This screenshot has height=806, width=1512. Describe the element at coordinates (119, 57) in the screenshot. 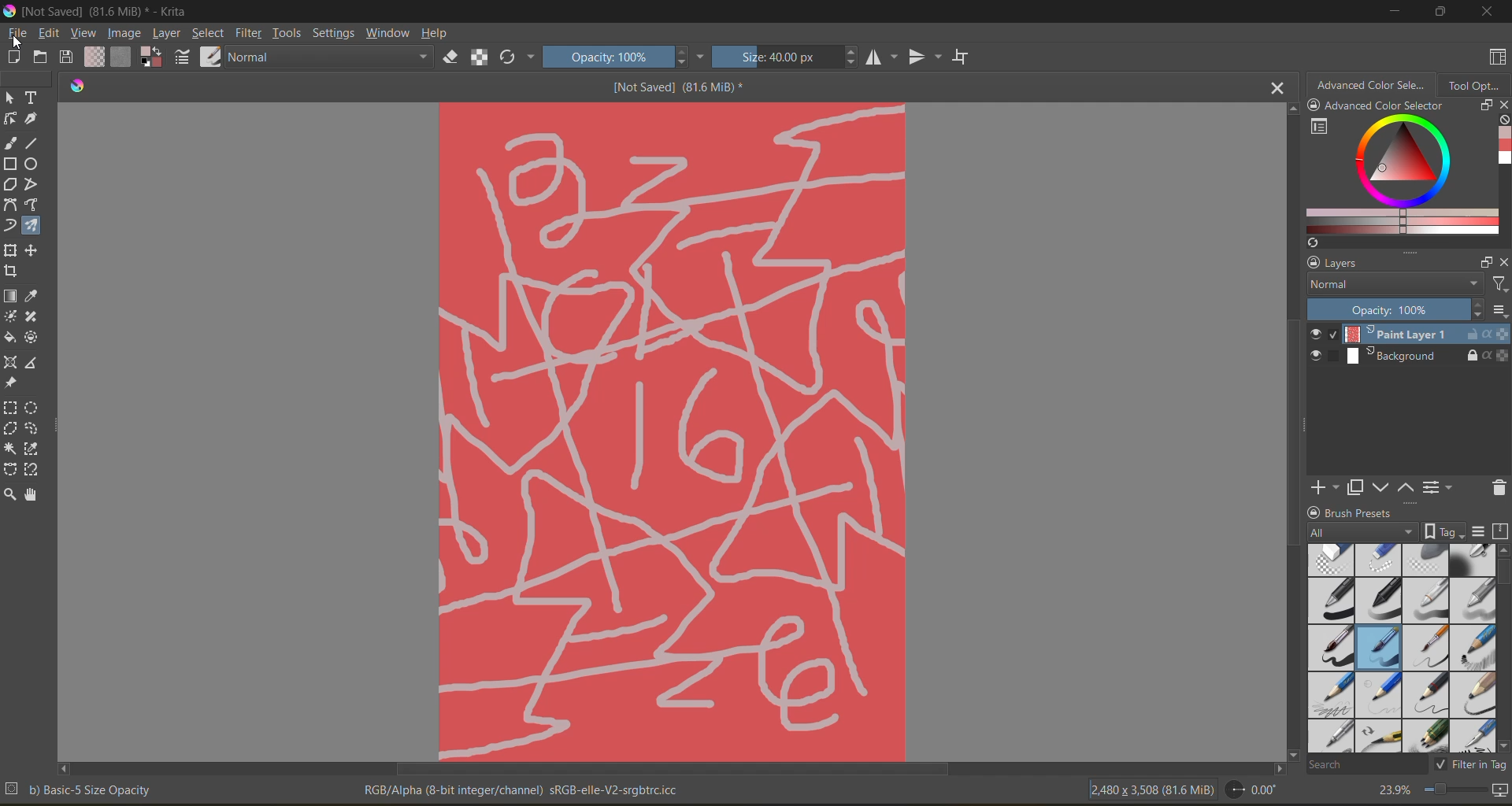

I see `fill patterns` at that location.